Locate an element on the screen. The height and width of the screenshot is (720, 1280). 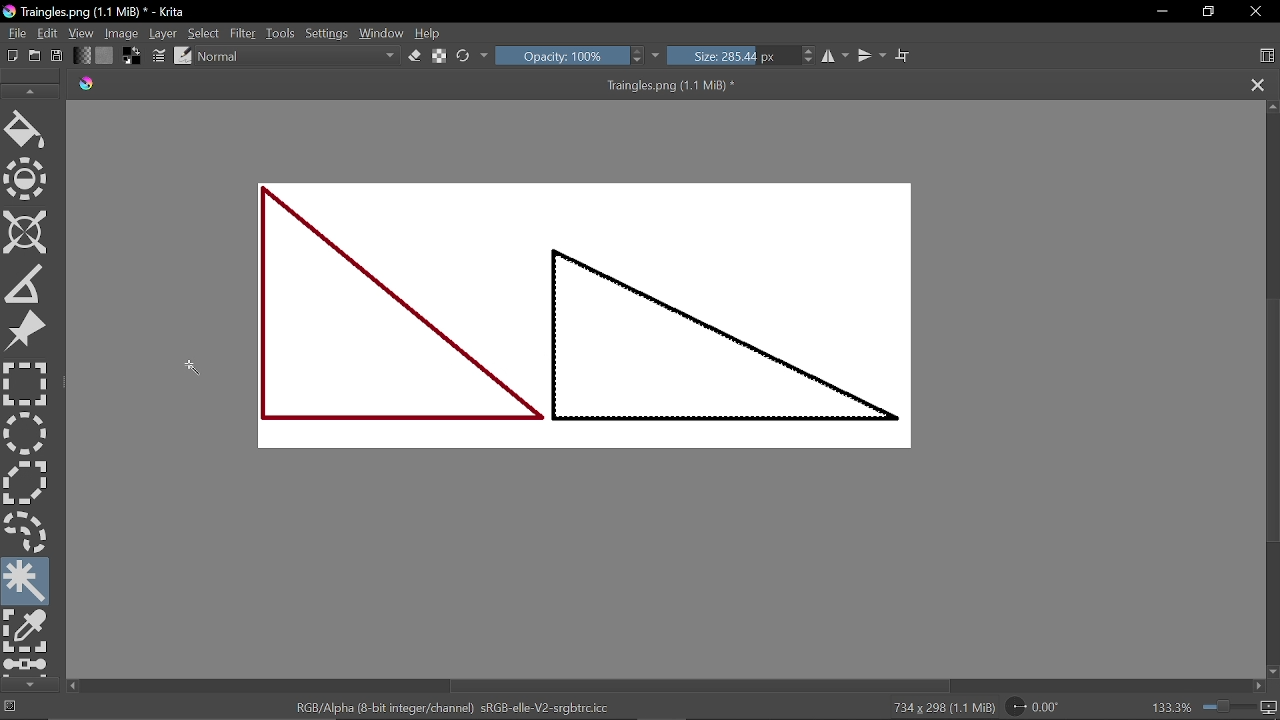
Fill gradient is located at coordinates (82, 55).